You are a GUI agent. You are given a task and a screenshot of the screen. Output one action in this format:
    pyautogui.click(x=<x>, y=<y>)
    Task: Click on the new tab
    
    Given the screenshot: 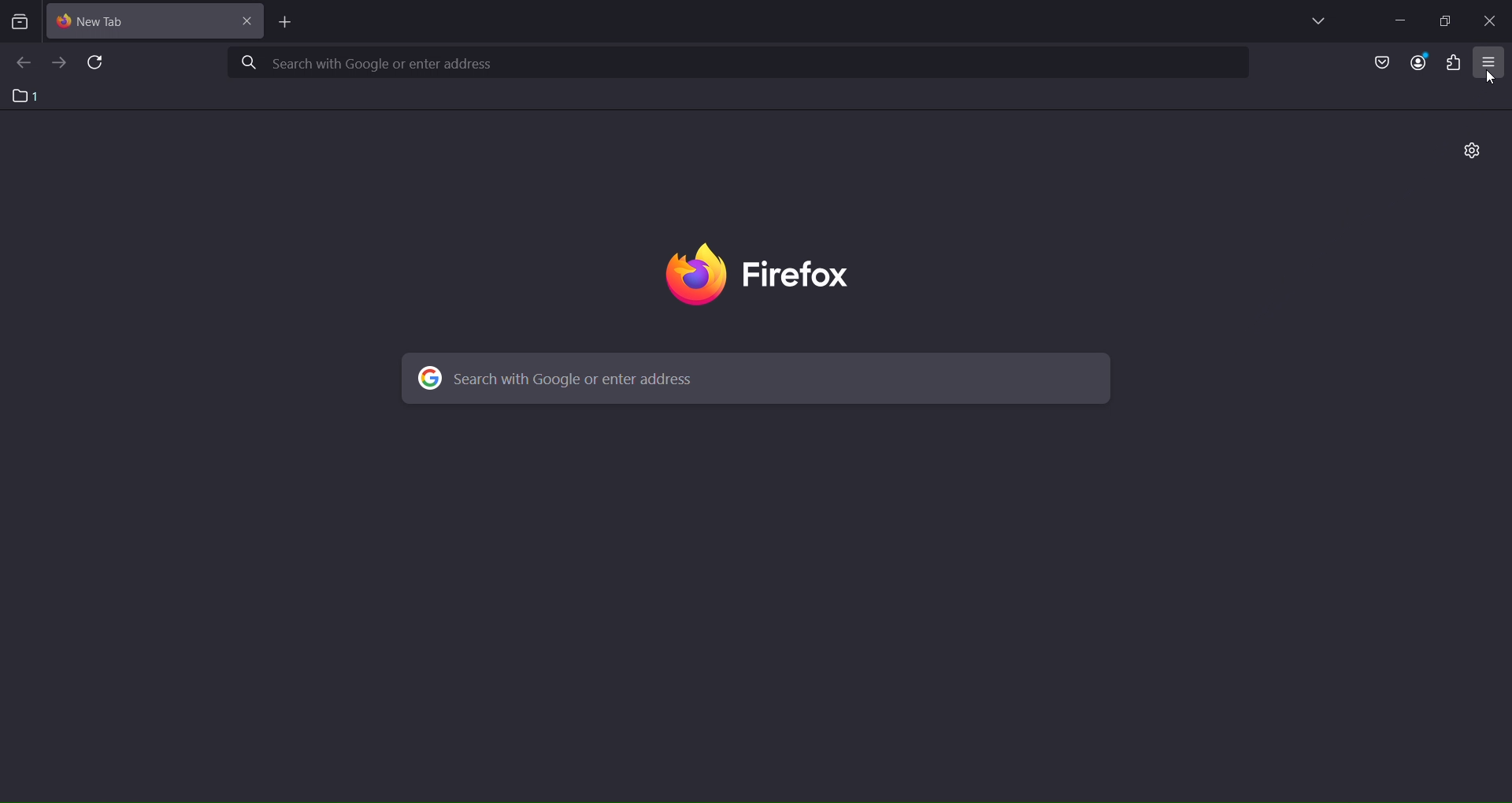 What is the action you would take?
    pyautogui.click(x=287, y=23)
    